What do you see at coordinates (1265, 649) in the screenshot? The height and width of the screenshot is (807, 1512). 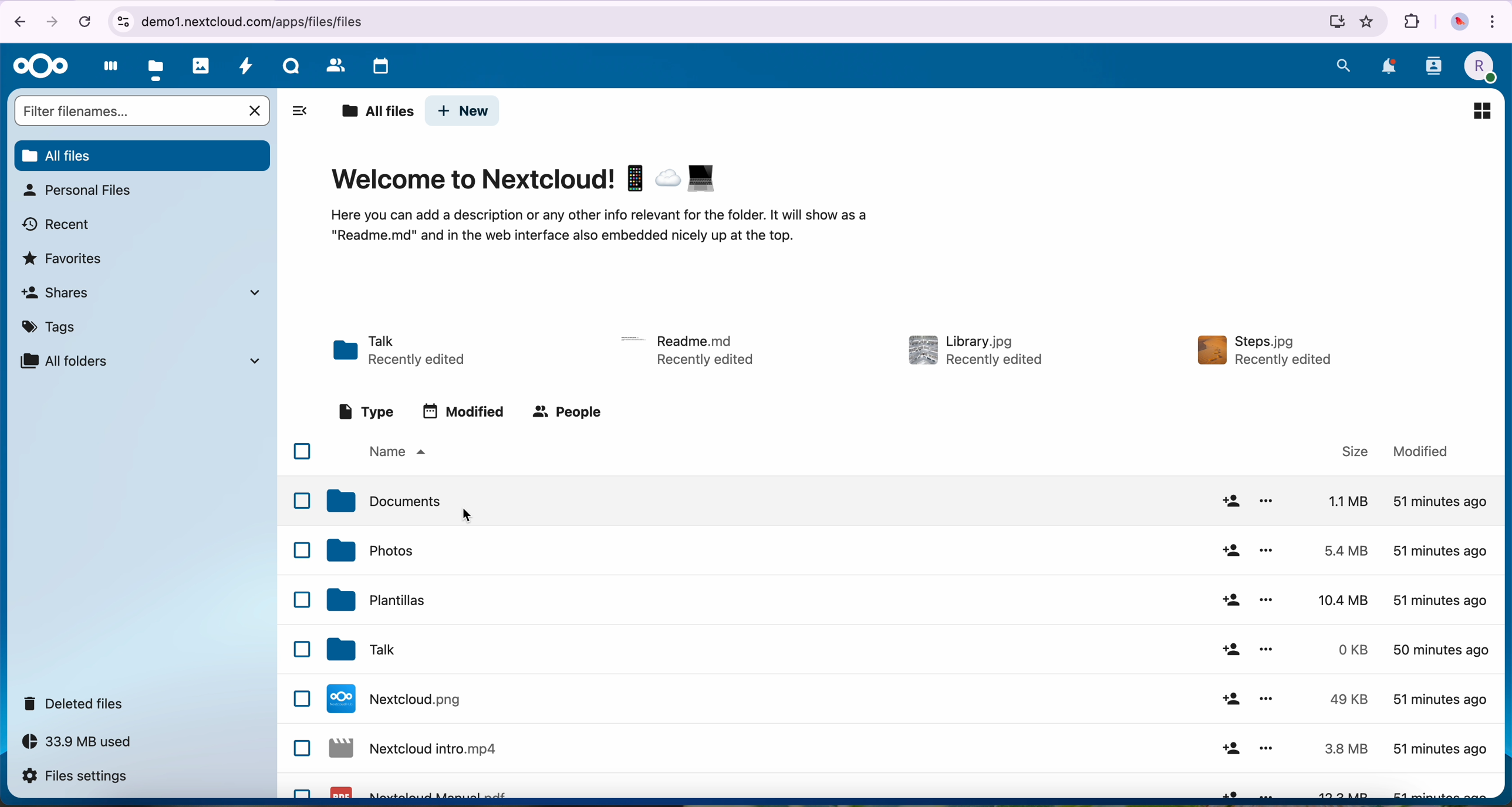 I see `options` at bounding box center [1265, 649].